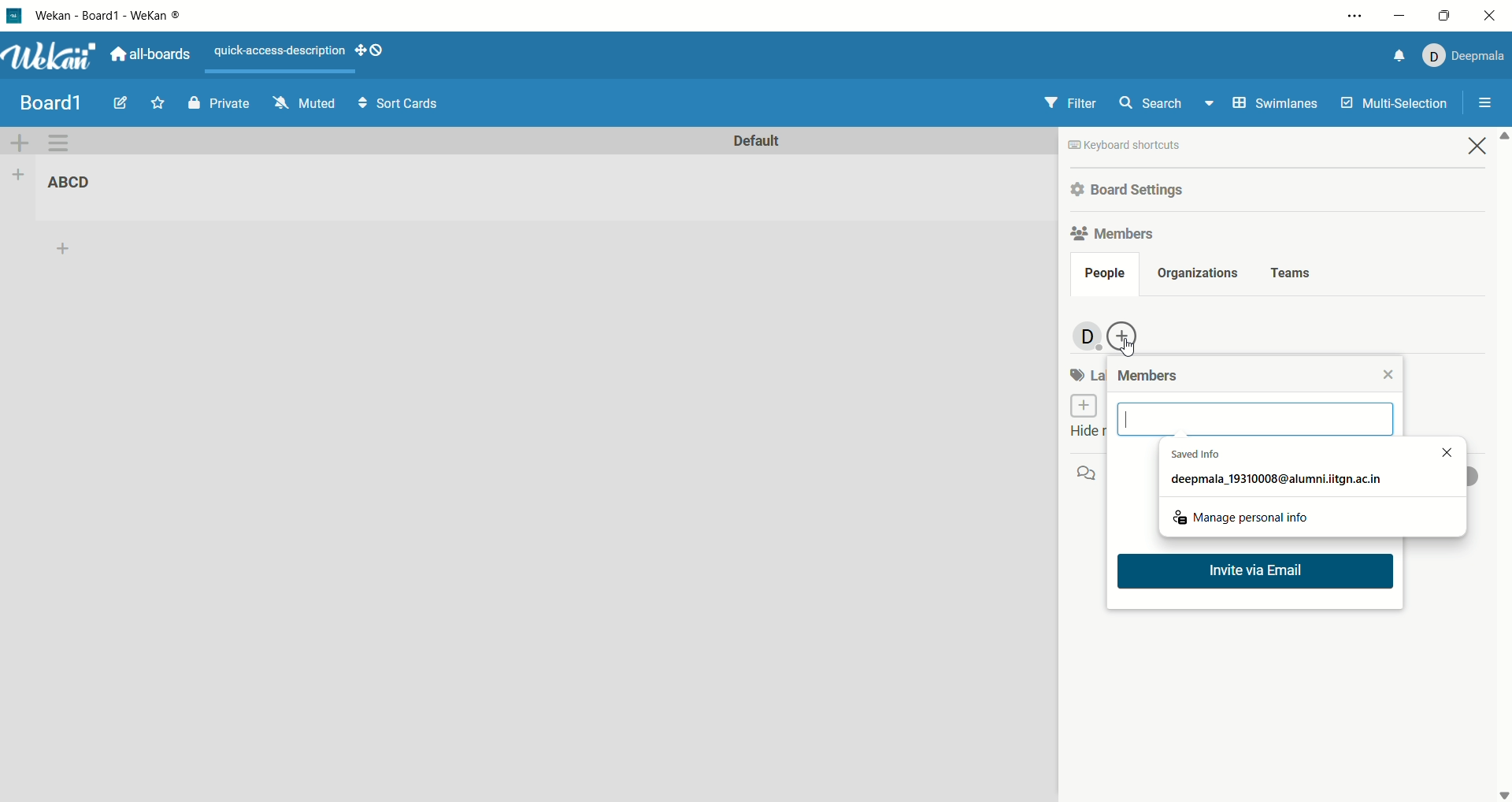  I want to click on minimize, so click(1398, 14).